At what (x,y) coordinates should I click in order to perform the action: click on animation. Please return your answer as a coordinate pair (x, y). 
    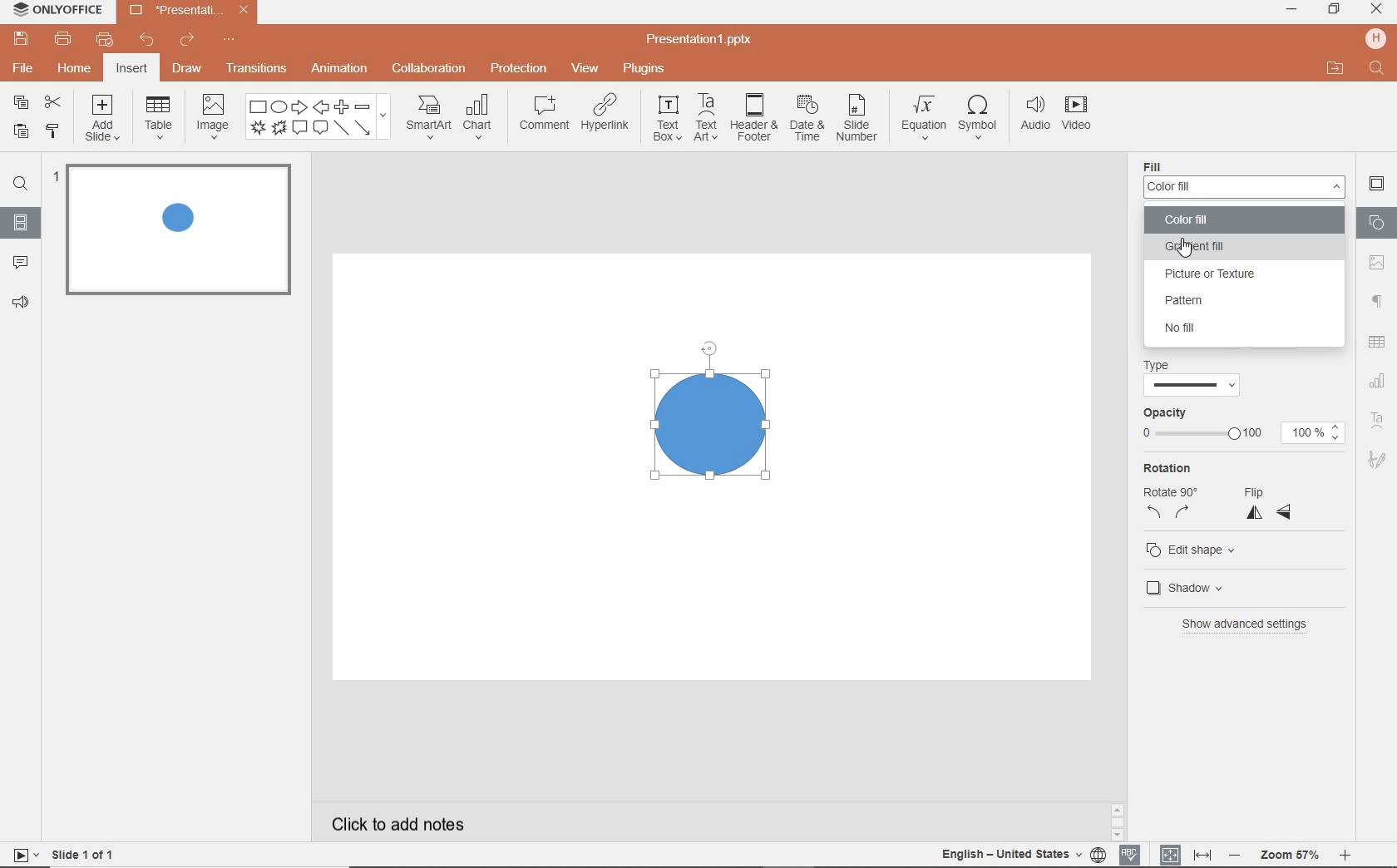
    Looking at the image, I should click on (339, 70).